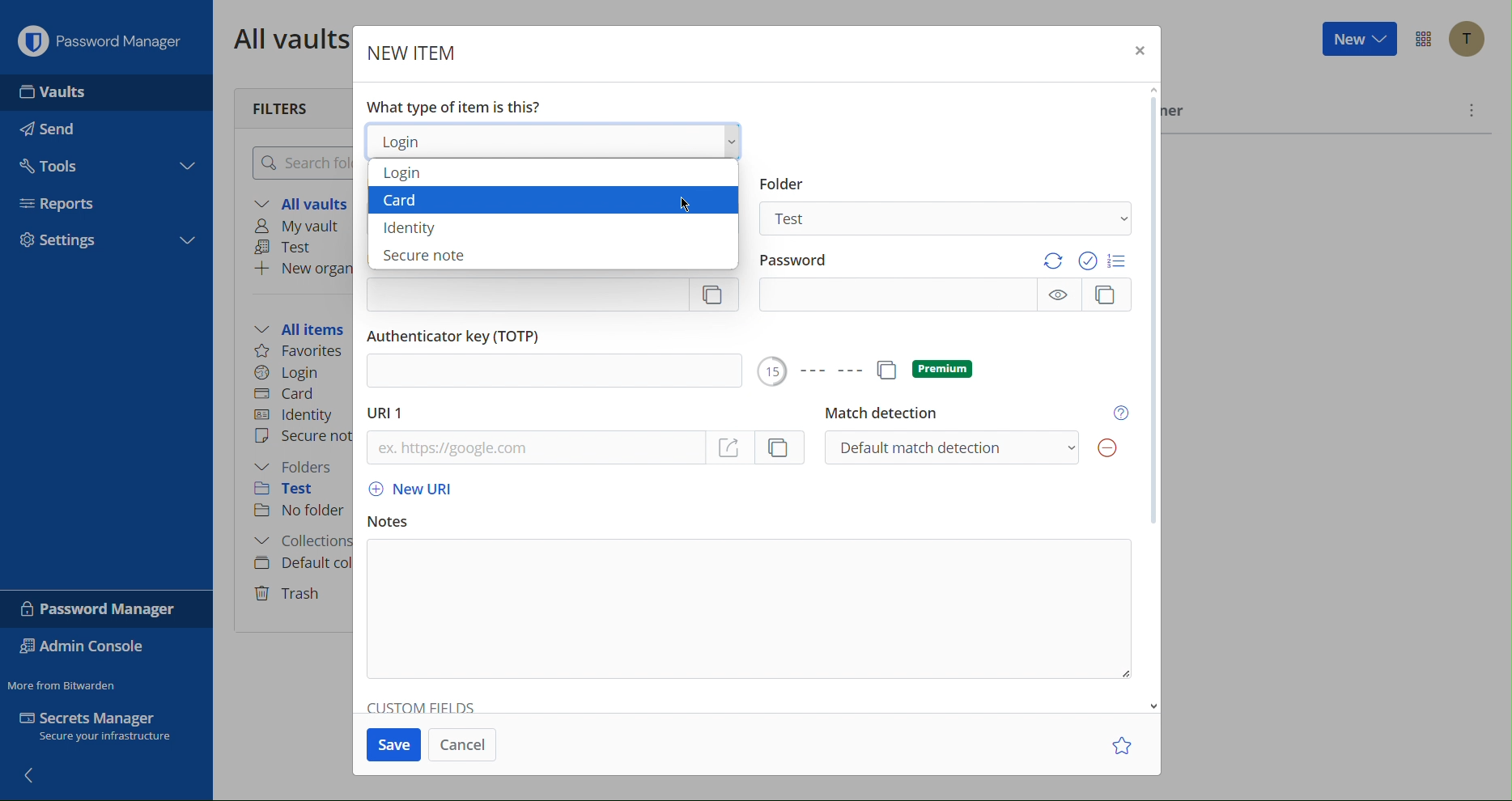 The image size is (1512, 801). What do you see at coordinates (303, 353) in the screenshot?
I see `Favorites` at bounding box center [303, 353].